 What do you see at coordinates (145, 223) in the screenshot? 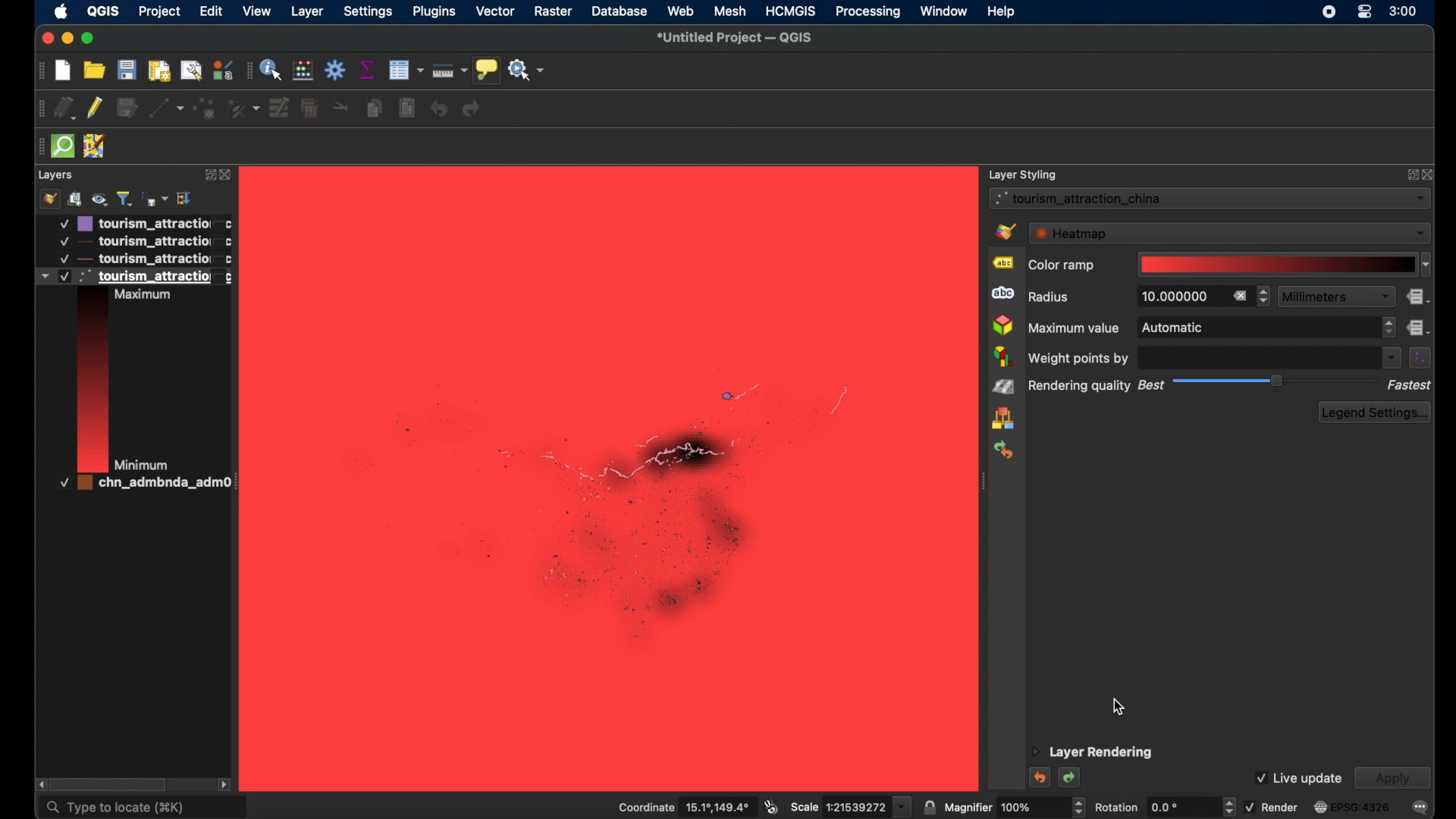
I see `layer 1` at bounding box center [145, 223].